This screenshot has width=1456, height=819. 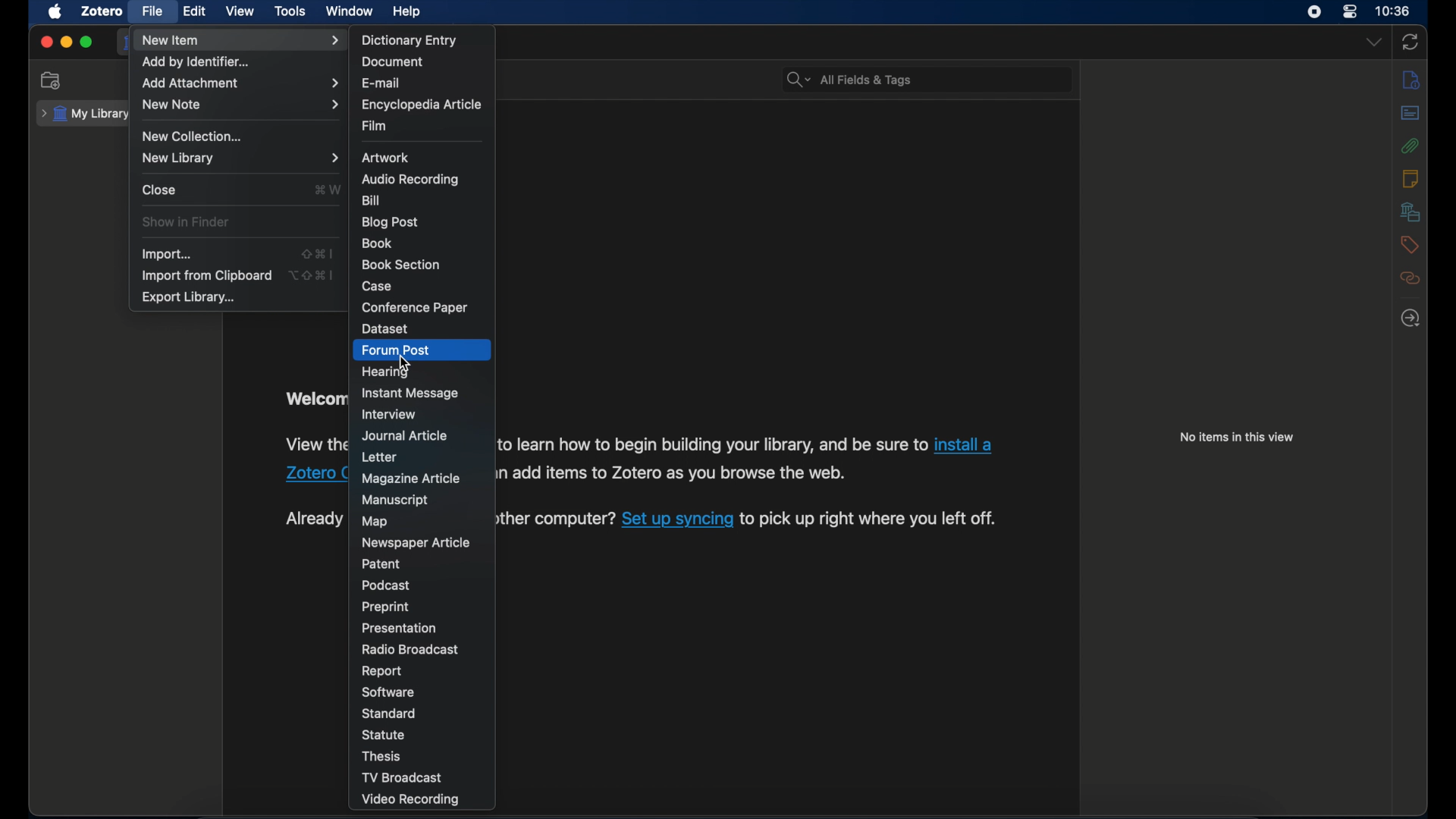 I want to click on export library, so click(x=190, y=298).